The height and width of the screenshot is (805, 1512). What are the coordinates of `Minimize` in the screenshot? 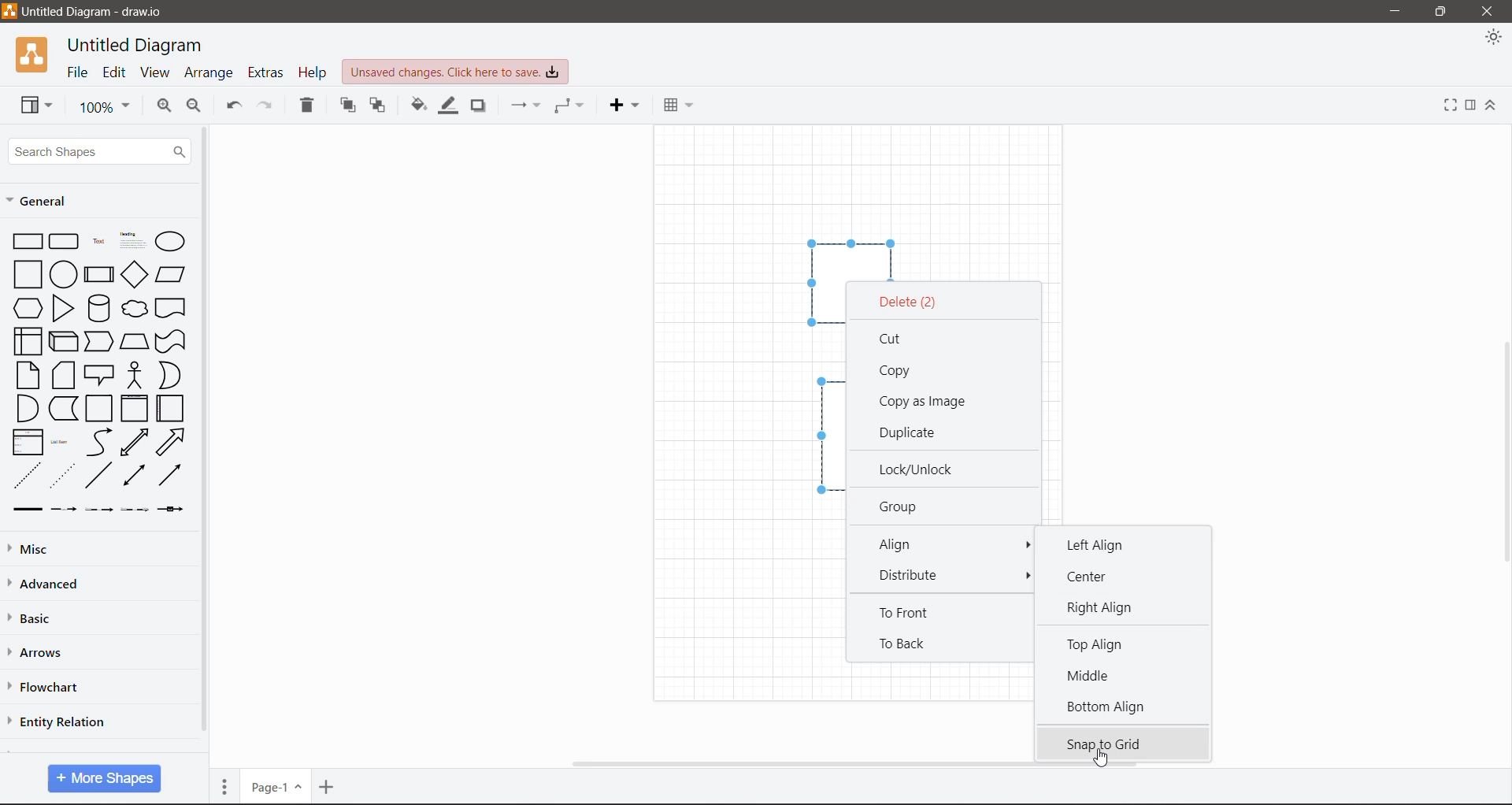 It's located at (1395, 12).